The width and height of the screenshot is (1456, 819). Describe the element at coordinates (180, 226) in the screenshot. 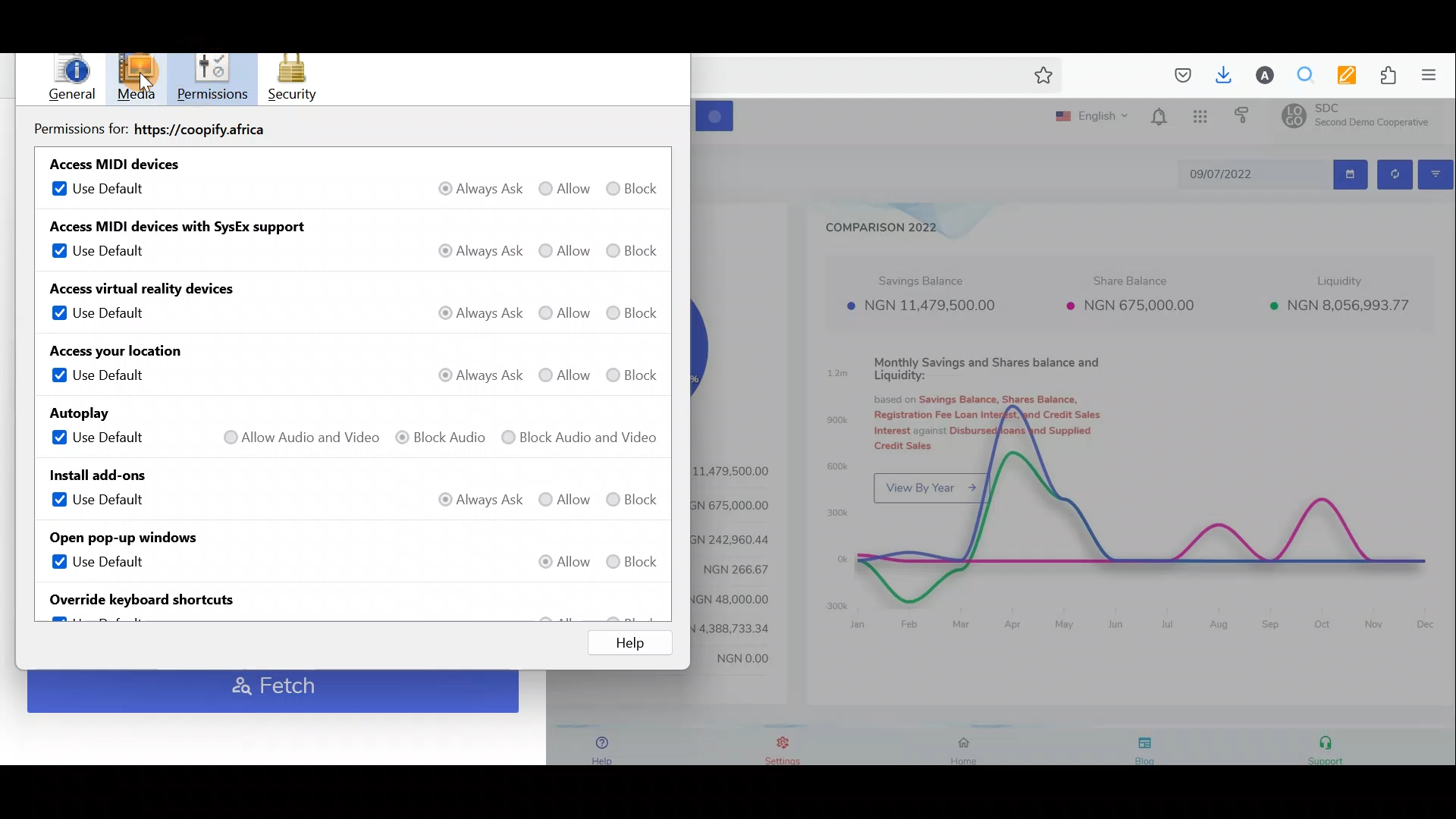

I see `Access MIDI devices with SysEx support` at that location.